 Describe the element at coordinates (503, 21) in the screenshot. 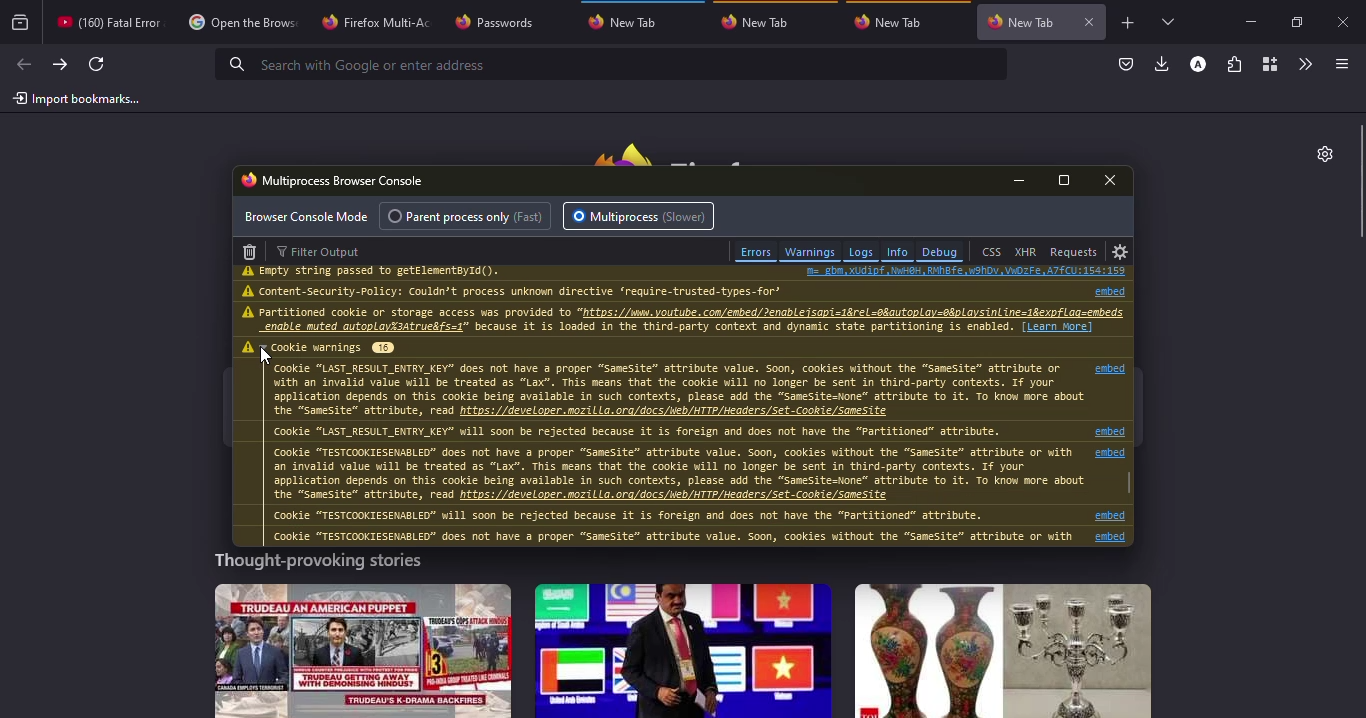

I see `tab` at that location.